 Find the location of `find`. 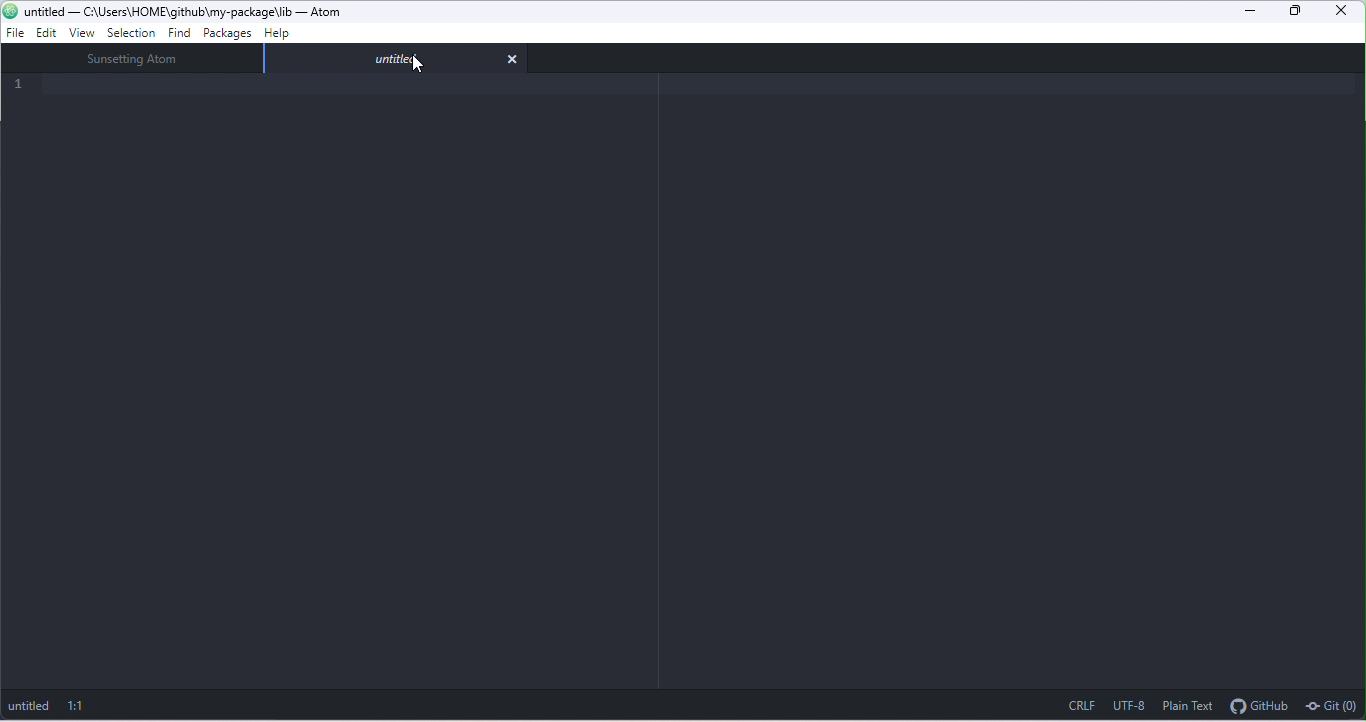

find is located at coordinates (179, 34).